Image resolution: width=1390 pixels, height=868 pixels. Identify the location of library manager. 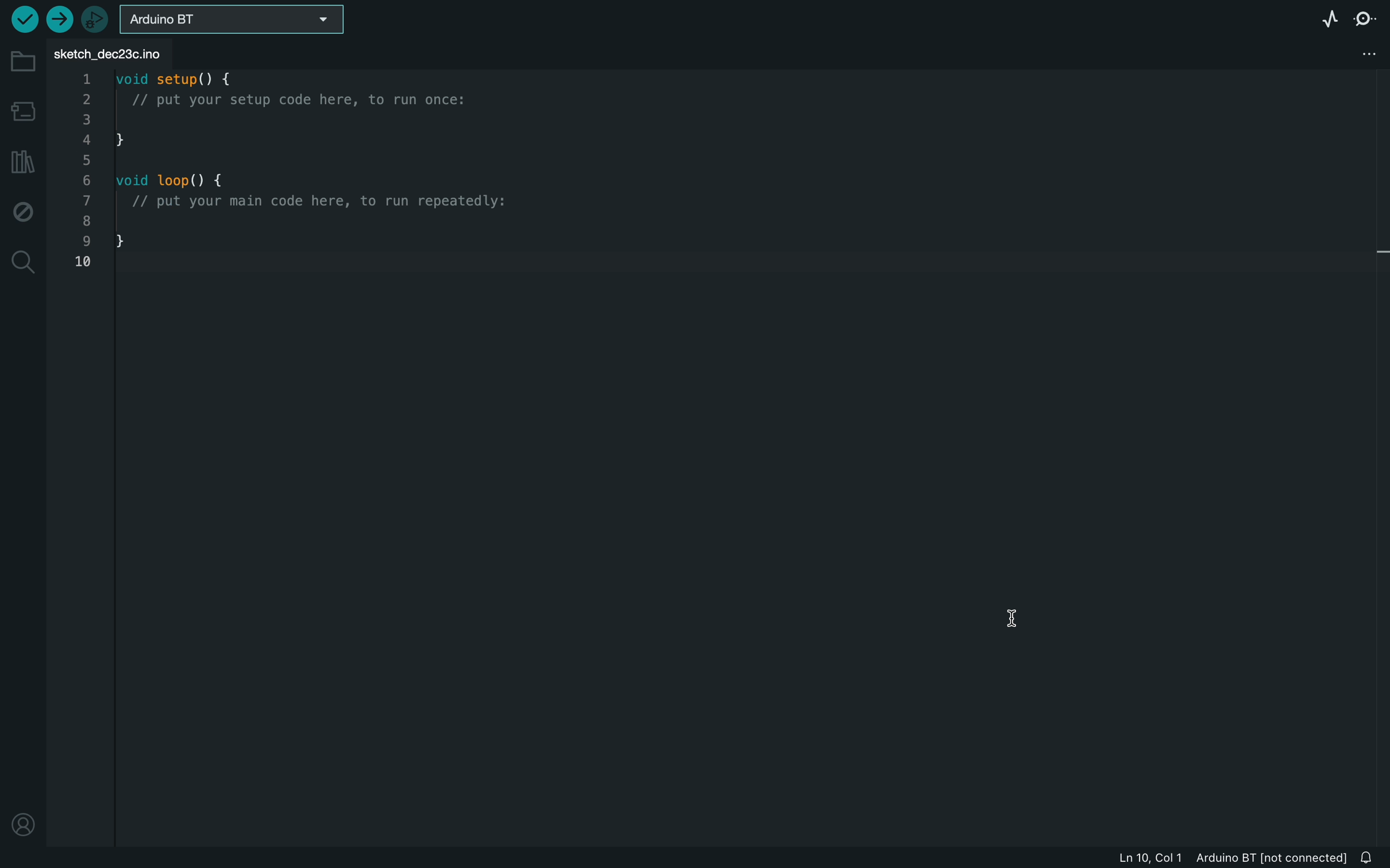
(23, 160).